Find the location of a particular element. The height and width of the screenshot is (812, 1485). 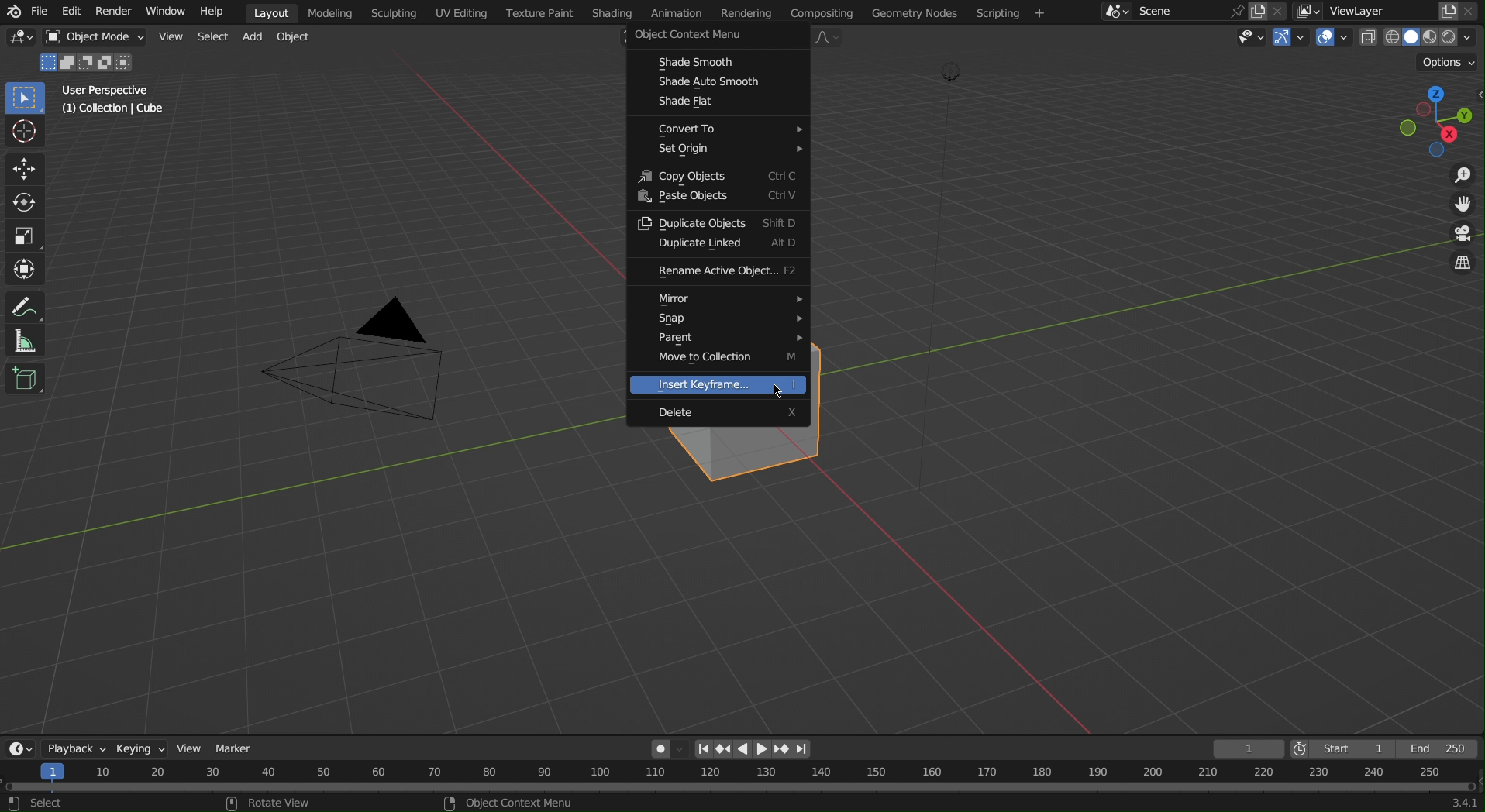

Annotate is located at coordinates (27, 303).